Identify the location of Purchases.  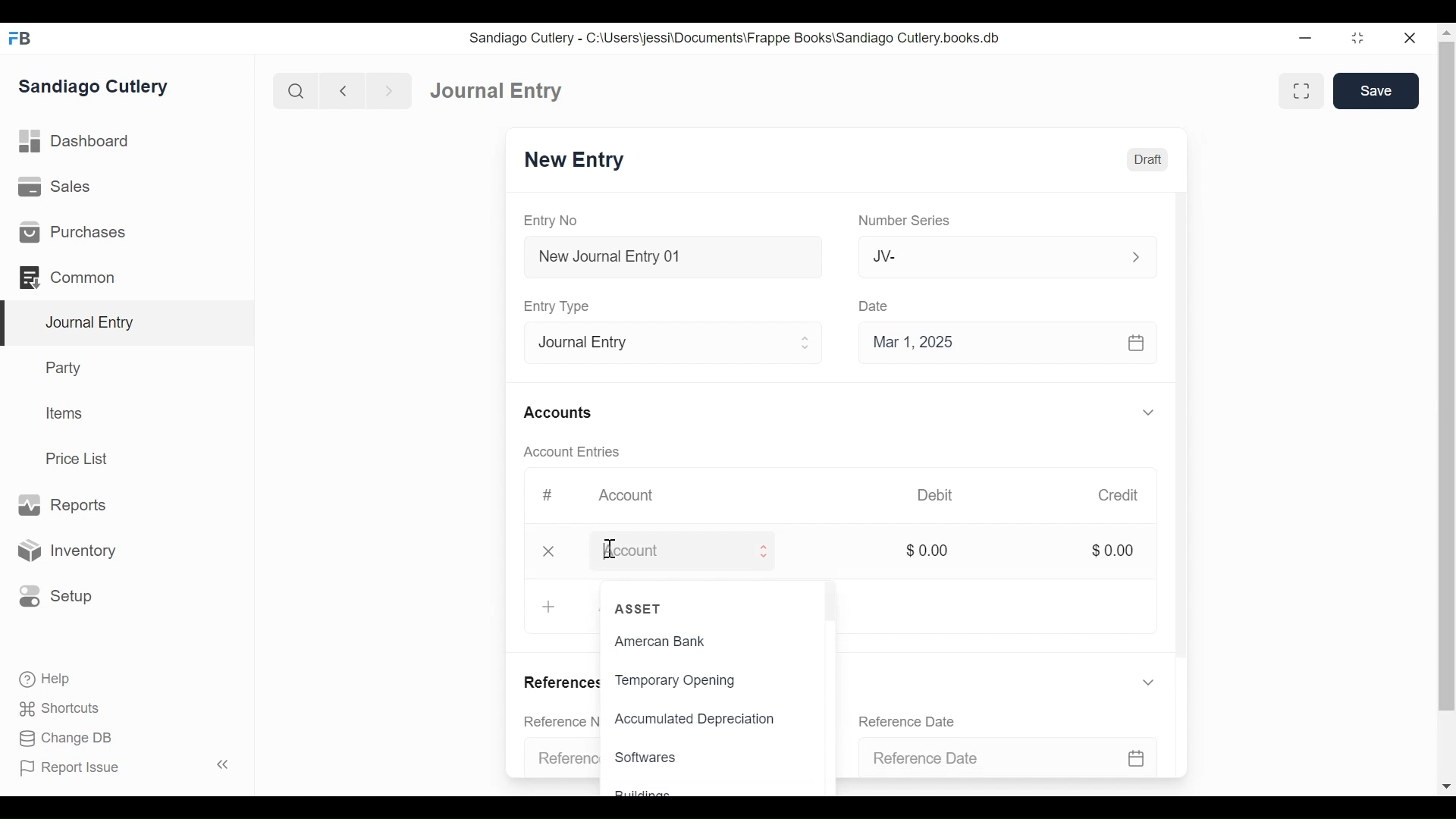
(127, 231).